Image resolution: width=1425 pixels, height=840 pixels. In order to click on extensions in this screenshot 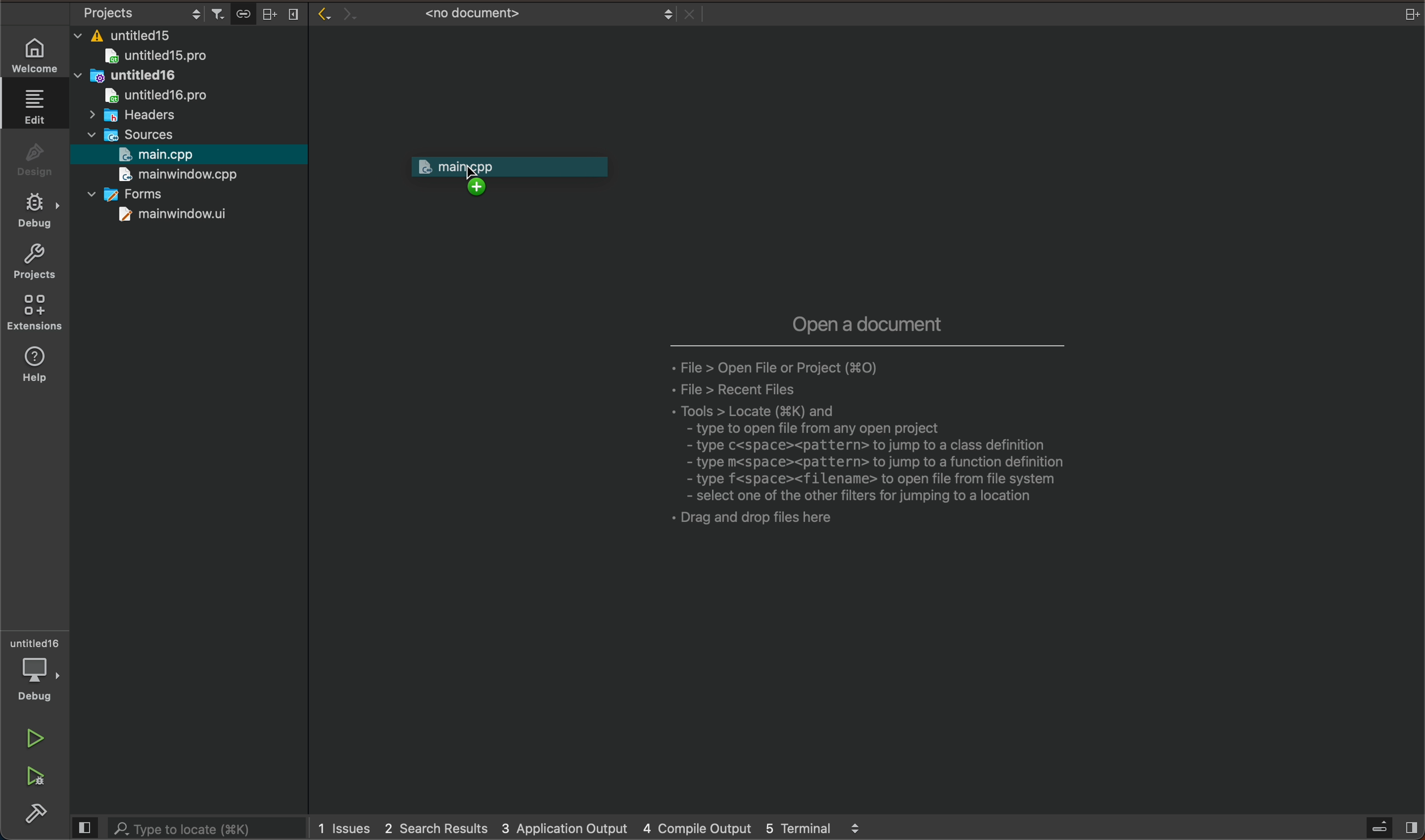, I will do `click(35, 312)`.